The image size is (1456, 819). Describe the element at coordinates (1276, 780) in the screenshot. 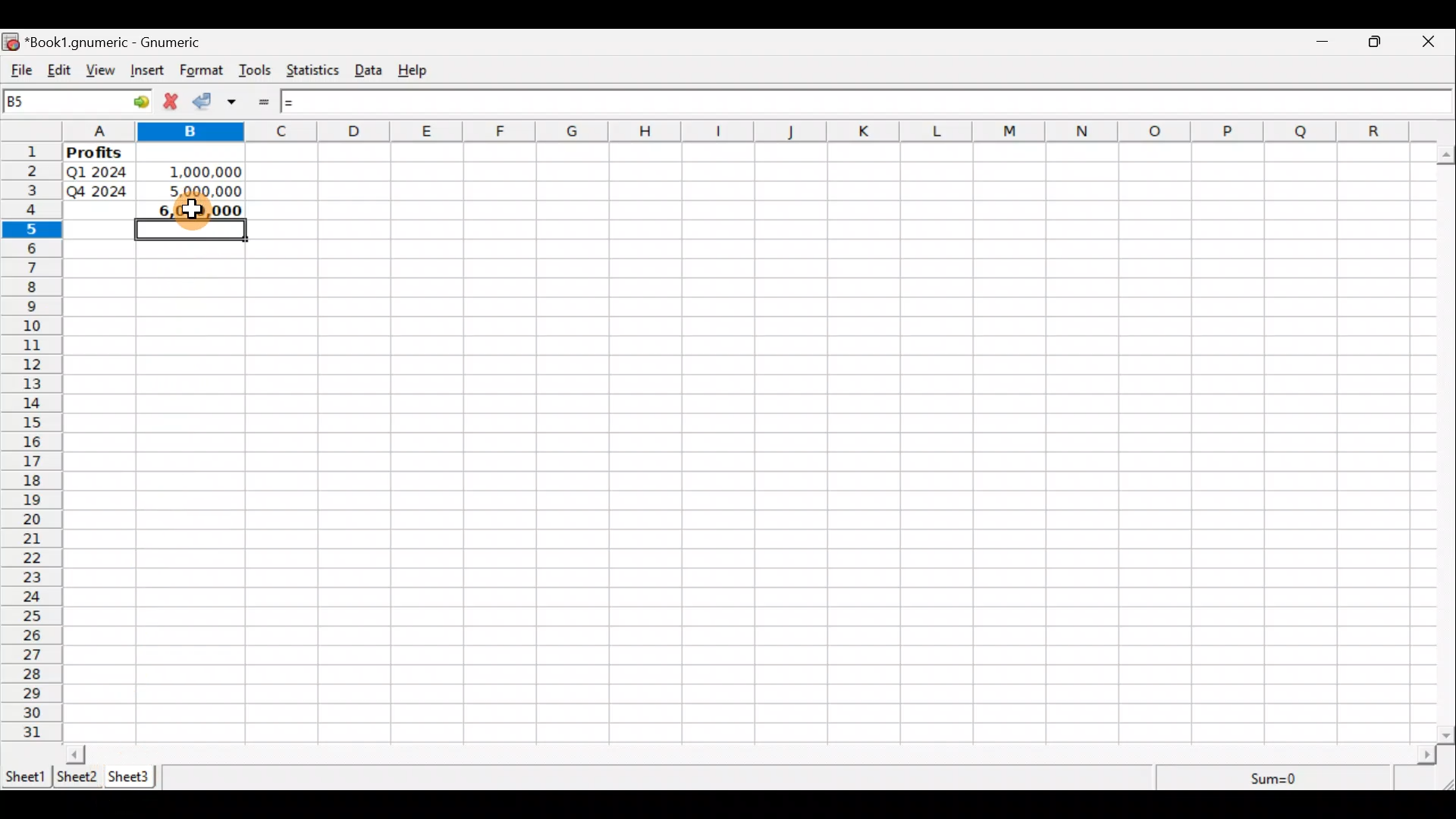

I see `Sum=0` at that location.